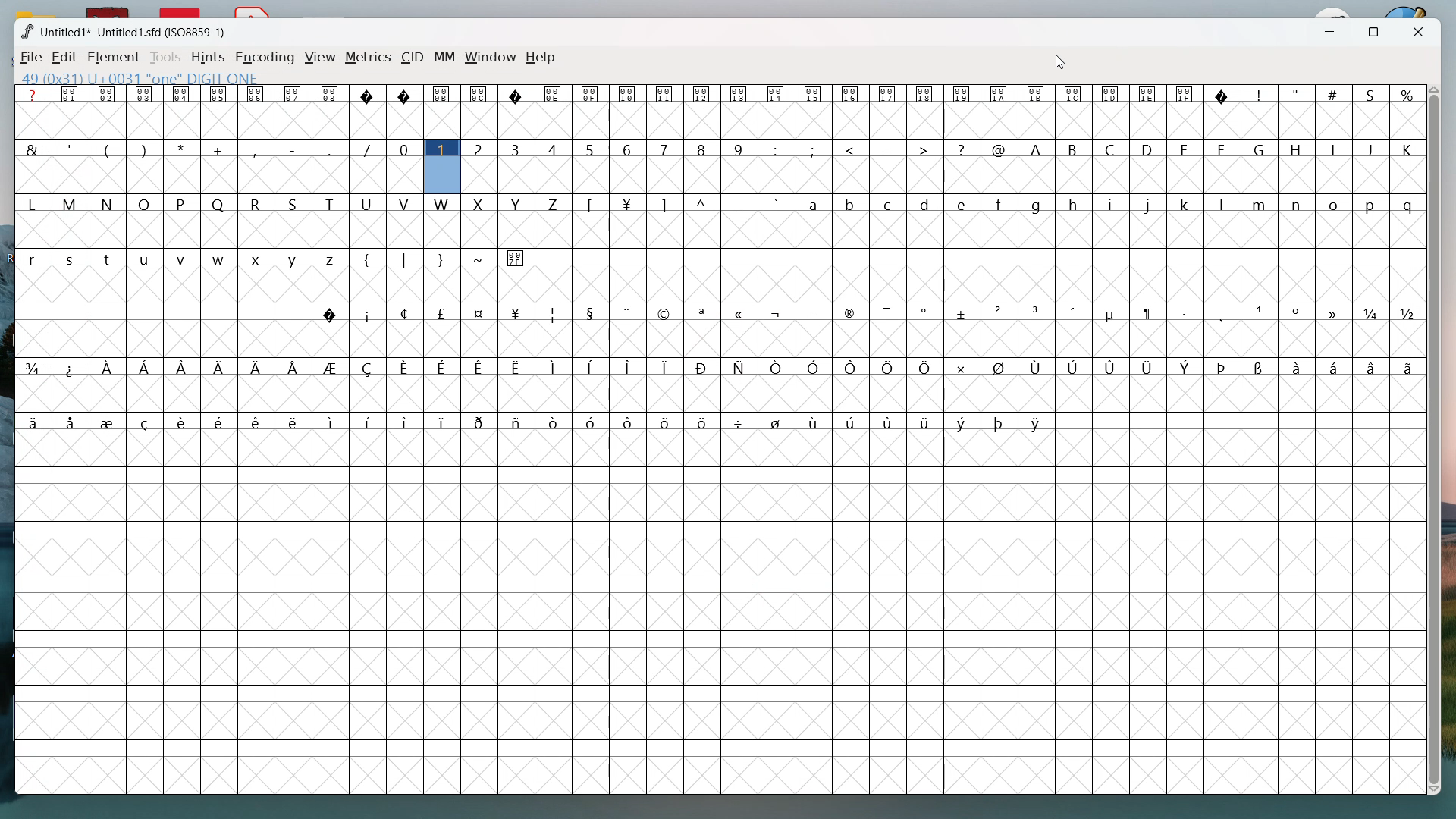 This screenshot has width=1456, height=819. What do you see at coordinates (369, 203) in the screenshot?
I see `U` at bounding box center [369, 203].